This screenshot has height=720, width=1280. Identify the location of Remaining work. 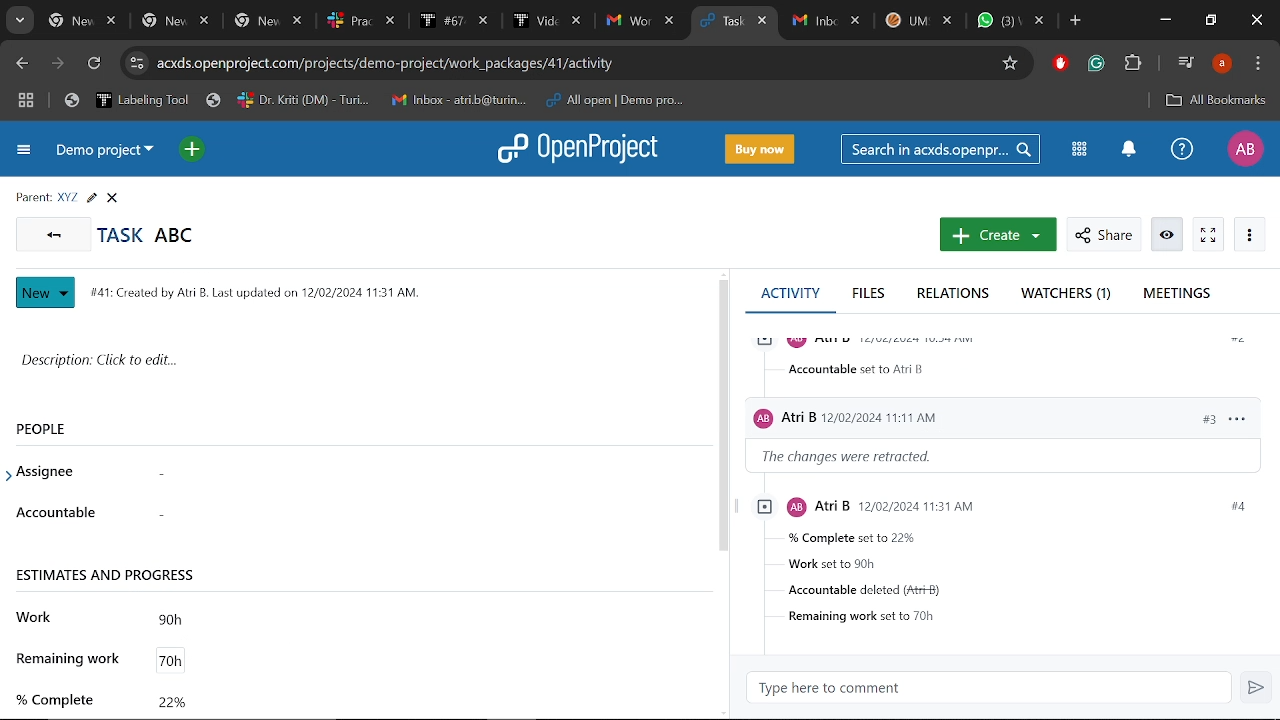
(181, 660).